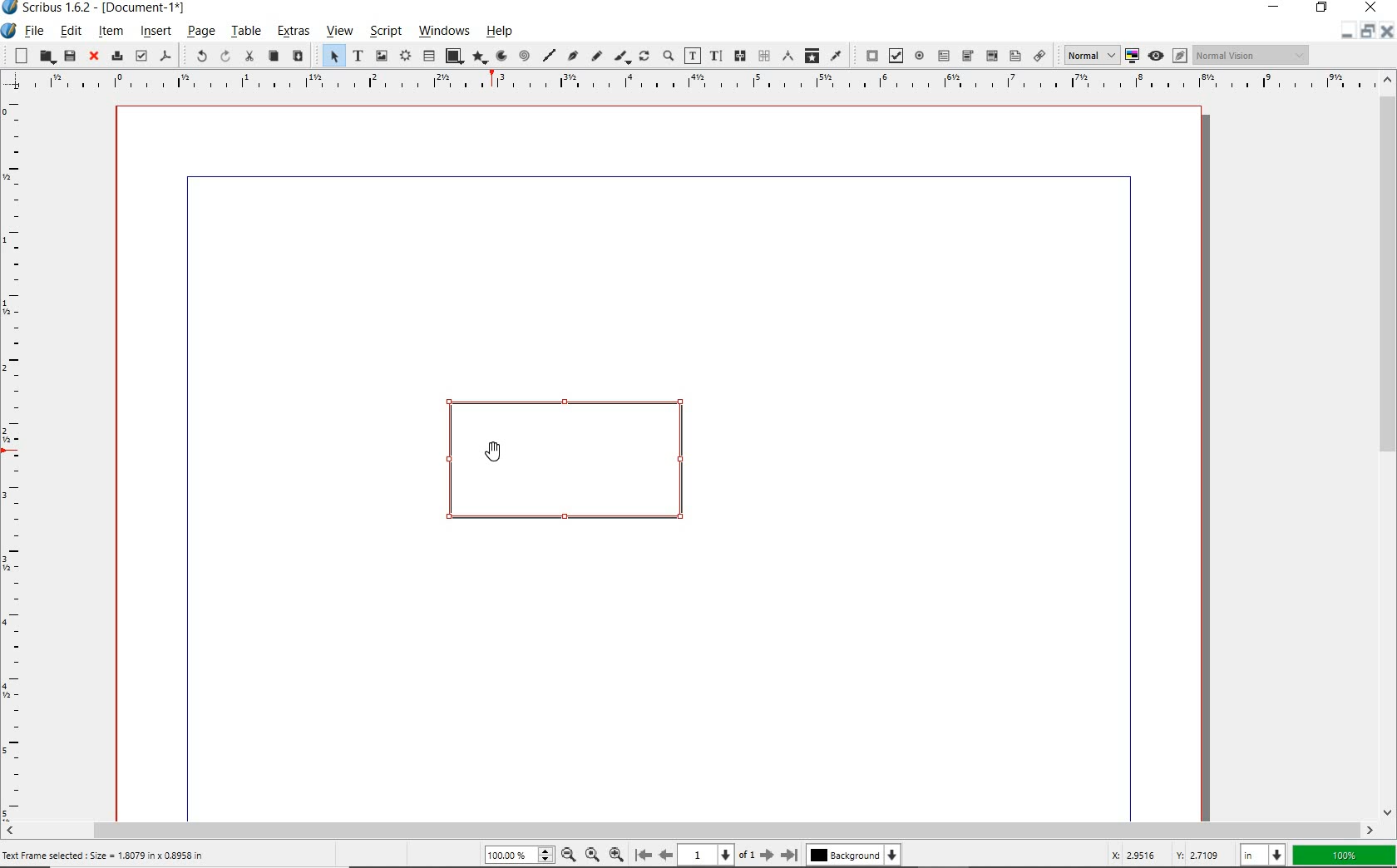 The width and height of the screenshot is (1397, 868). Describe the element at coordinates (225, 56) in the screenshot. I see `redo` at that location.